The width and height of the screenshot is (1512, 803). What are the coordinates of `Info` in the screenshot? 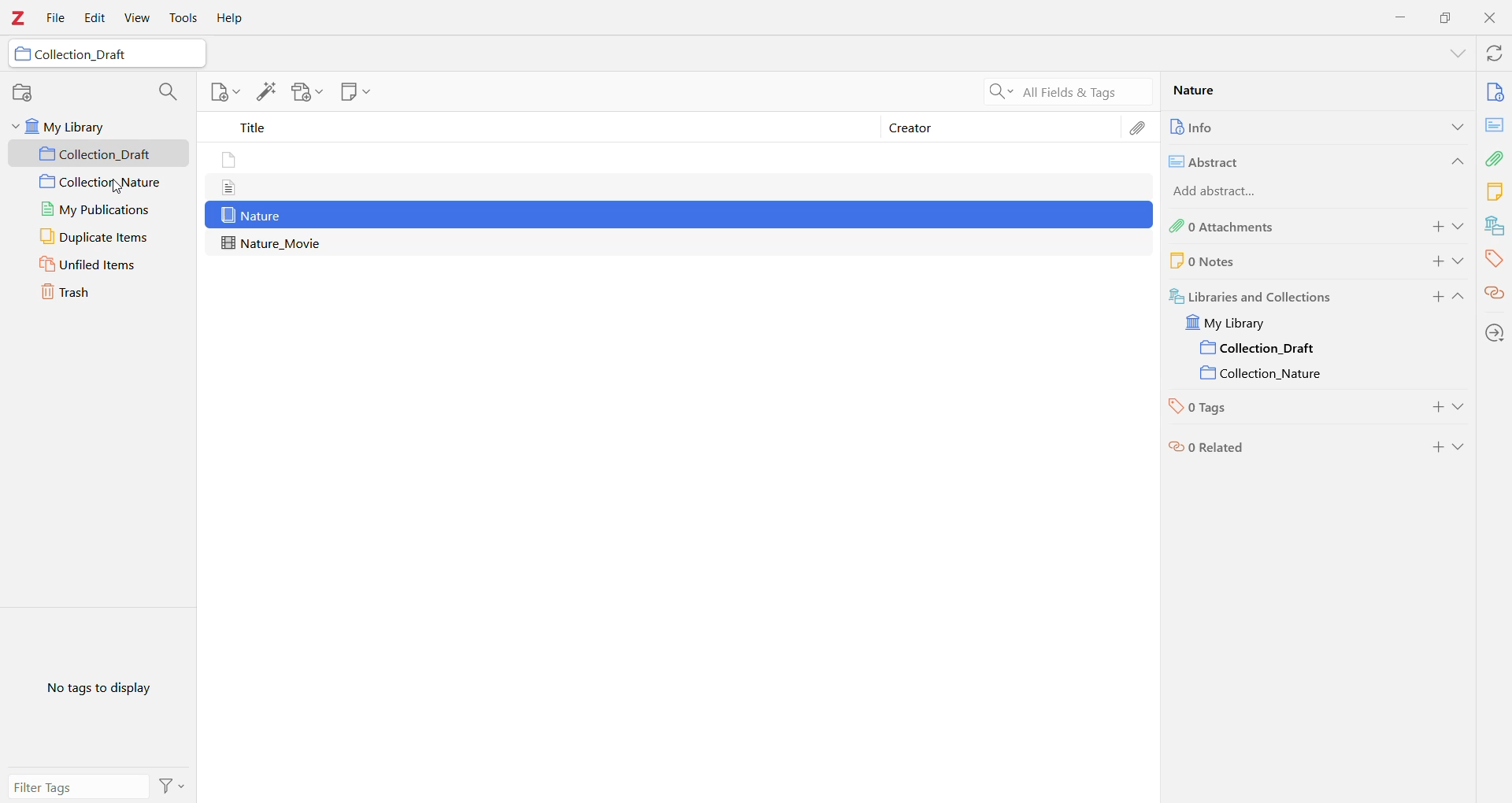 It's located at (1278, 126).